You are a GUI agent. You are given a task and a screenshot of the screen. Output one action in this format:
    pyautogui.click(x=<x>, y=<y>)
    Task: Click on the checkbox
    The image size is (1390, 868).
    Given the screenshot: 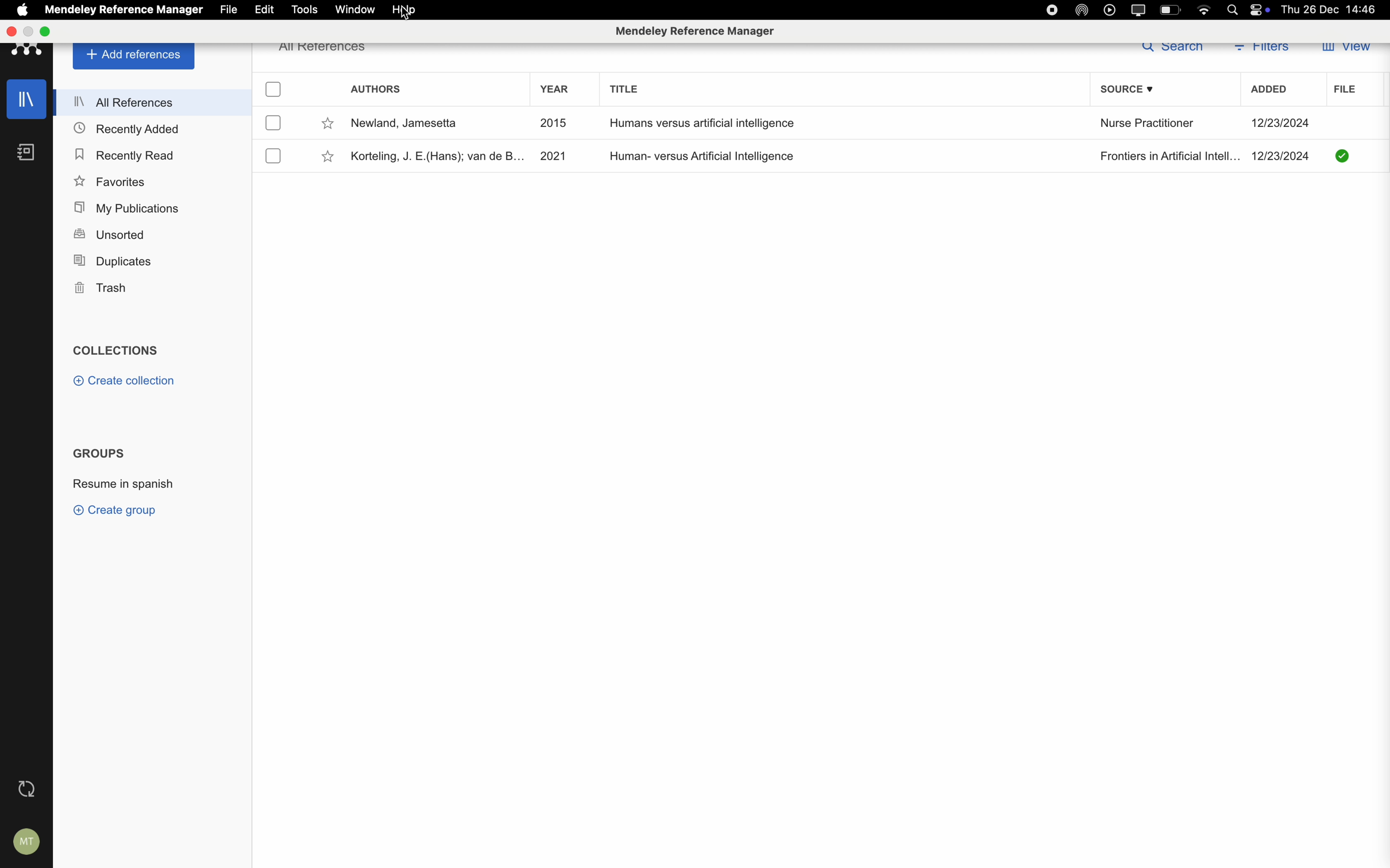 What is the action you would take?
    pyautogui.click(x=275, y=156)
    